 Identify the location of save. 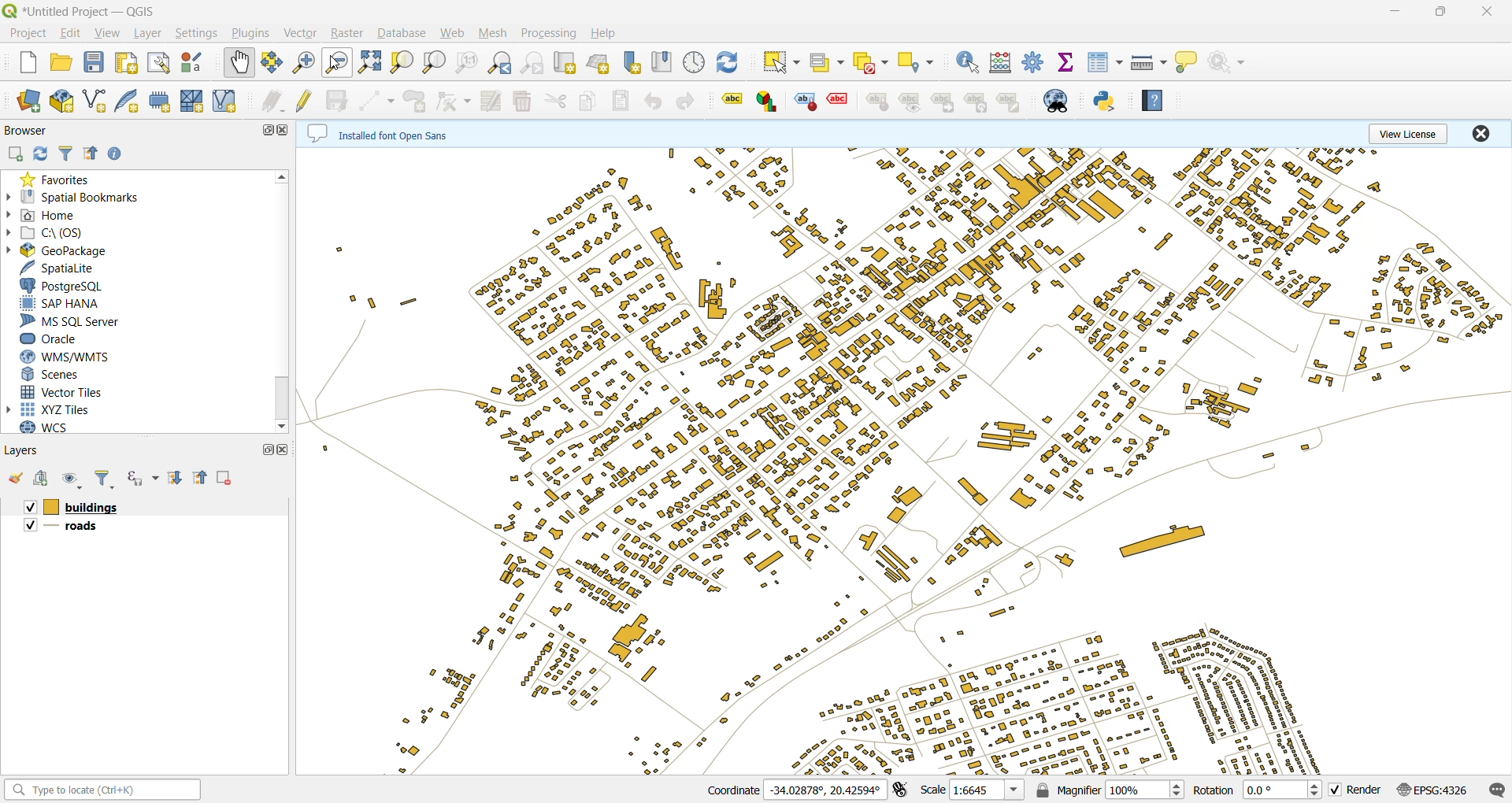
(98, 65).